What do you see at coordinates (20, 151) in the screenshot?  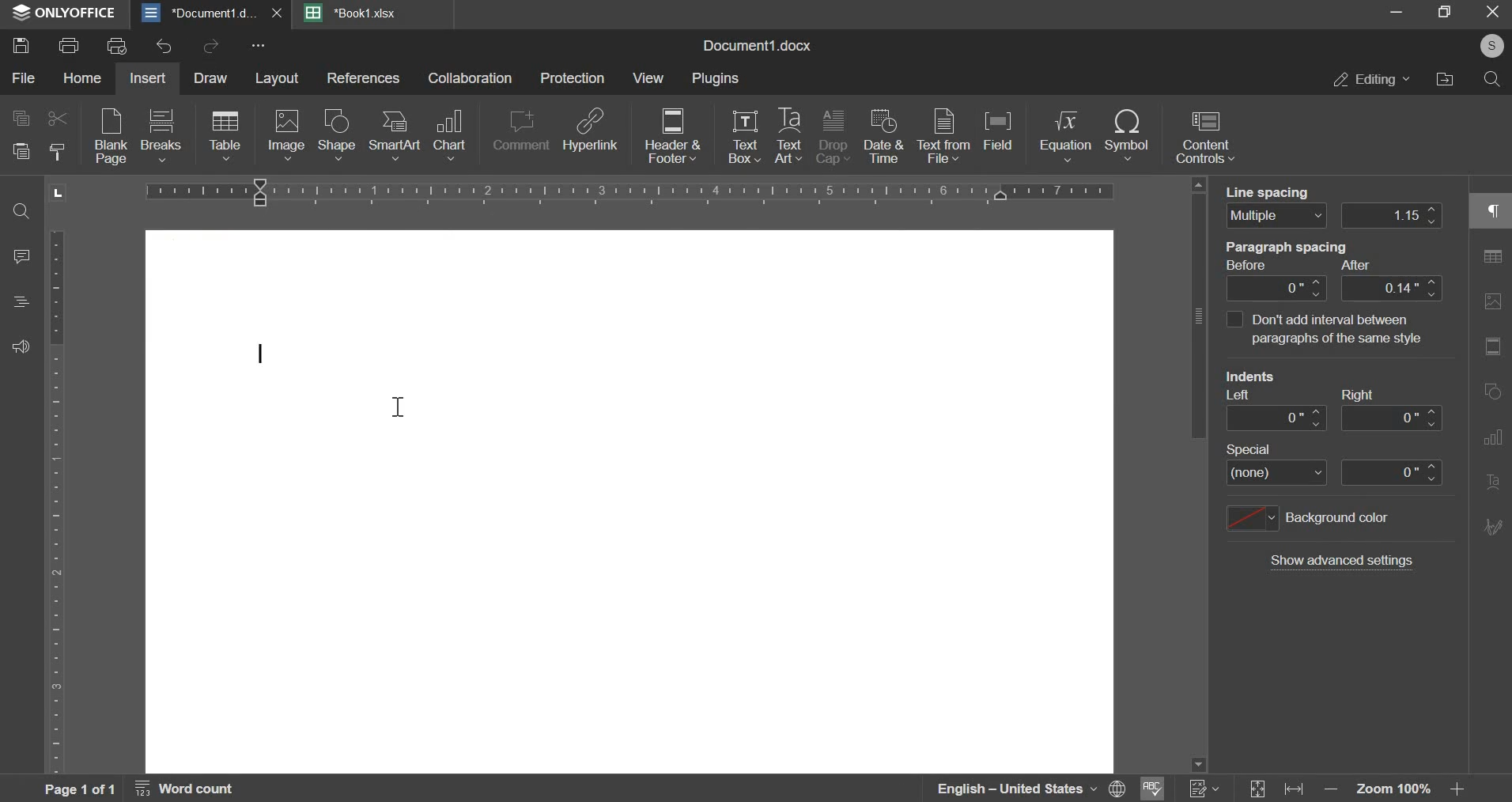 I see `paste` at bounding box center [20, 151].